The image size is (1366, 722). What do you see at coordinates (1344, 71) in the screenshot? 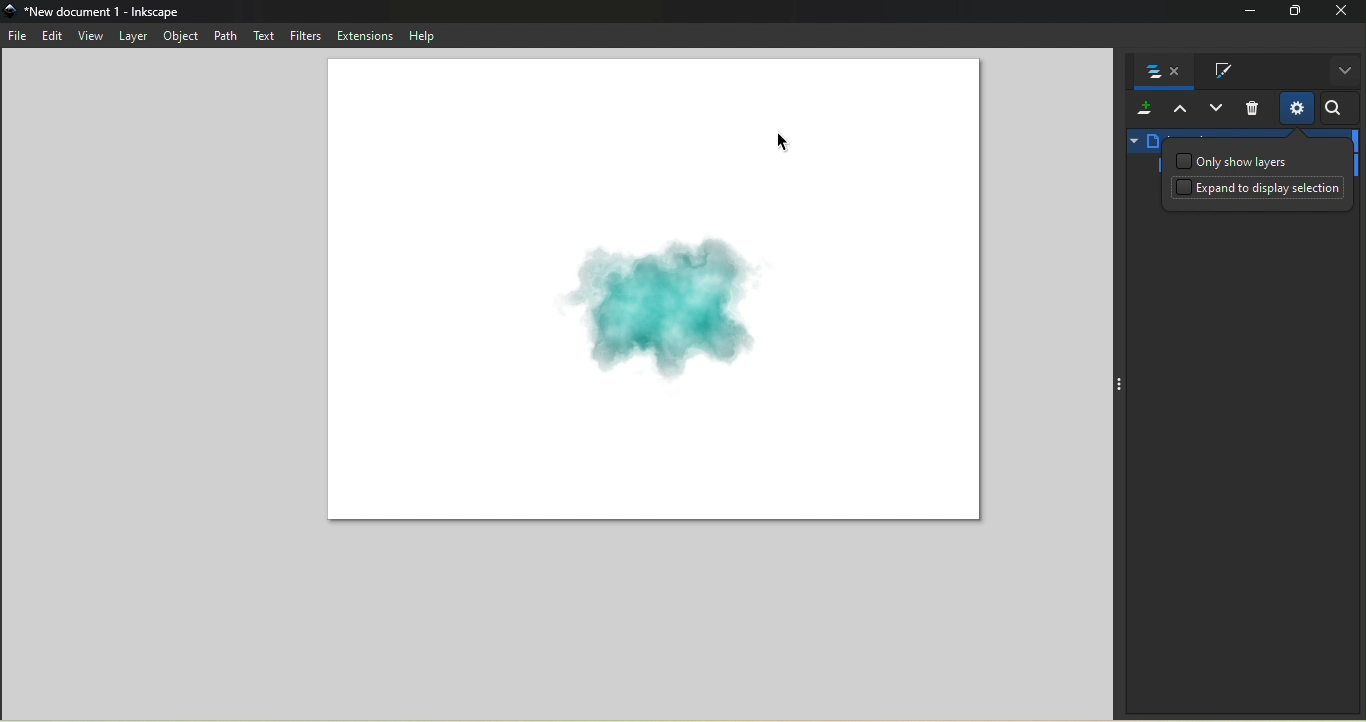
I see `More options` at bounding box center [1344, 71].